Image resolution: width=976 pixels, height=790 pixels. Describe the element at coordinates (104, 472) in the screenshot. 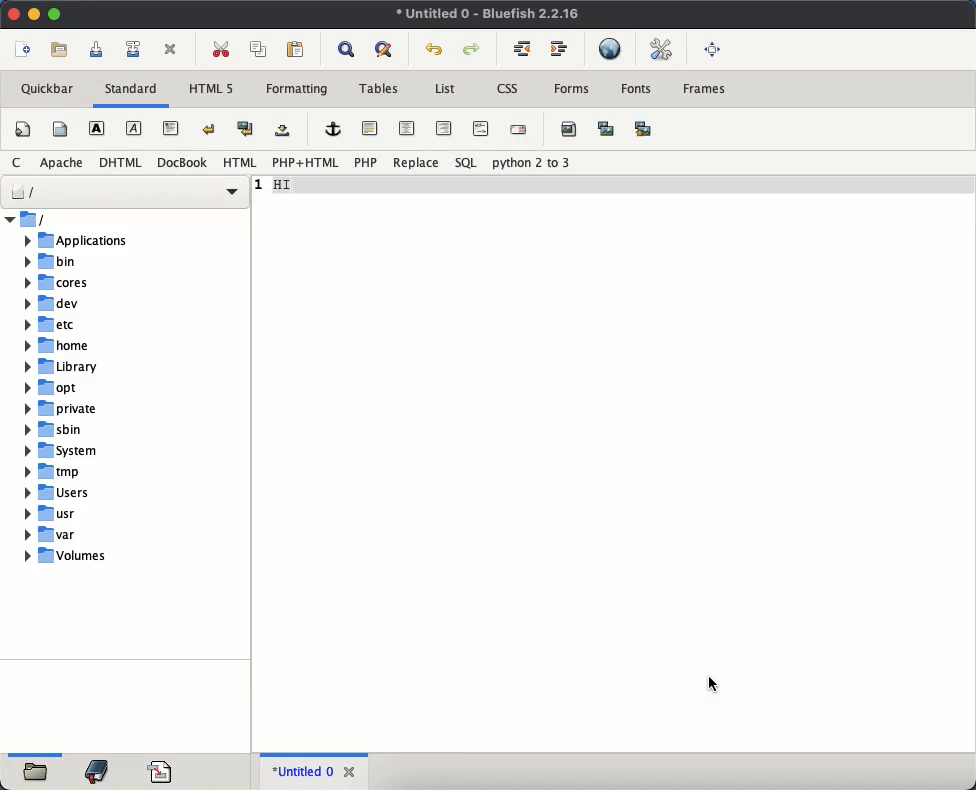

I see `tmp` at that location.